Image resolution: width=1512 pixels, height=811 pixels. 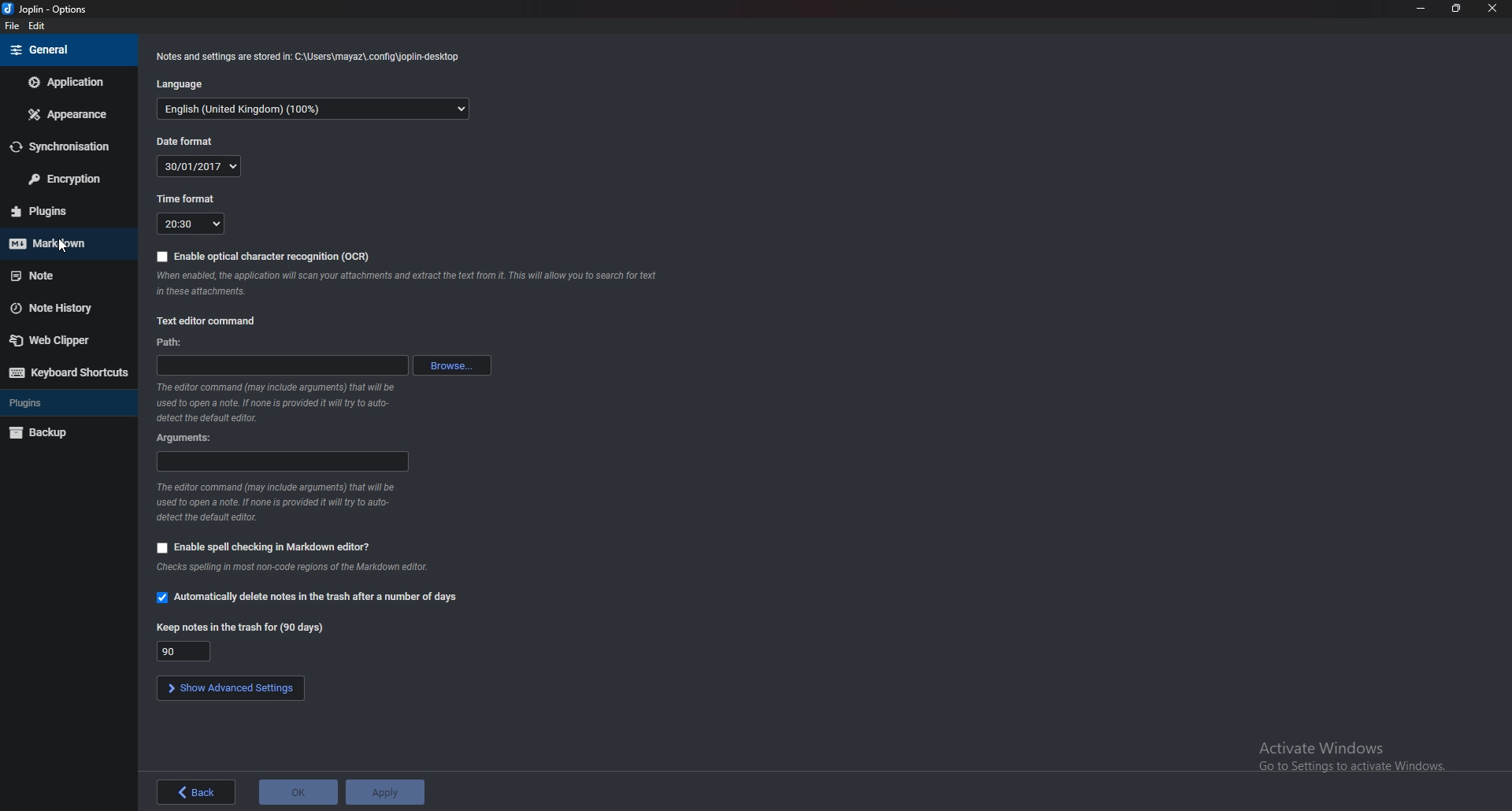 What do you see at coordinates (240, 627) in the screenshot?
I see `Keep notes in the trash for` at bounding box center [240, 627].